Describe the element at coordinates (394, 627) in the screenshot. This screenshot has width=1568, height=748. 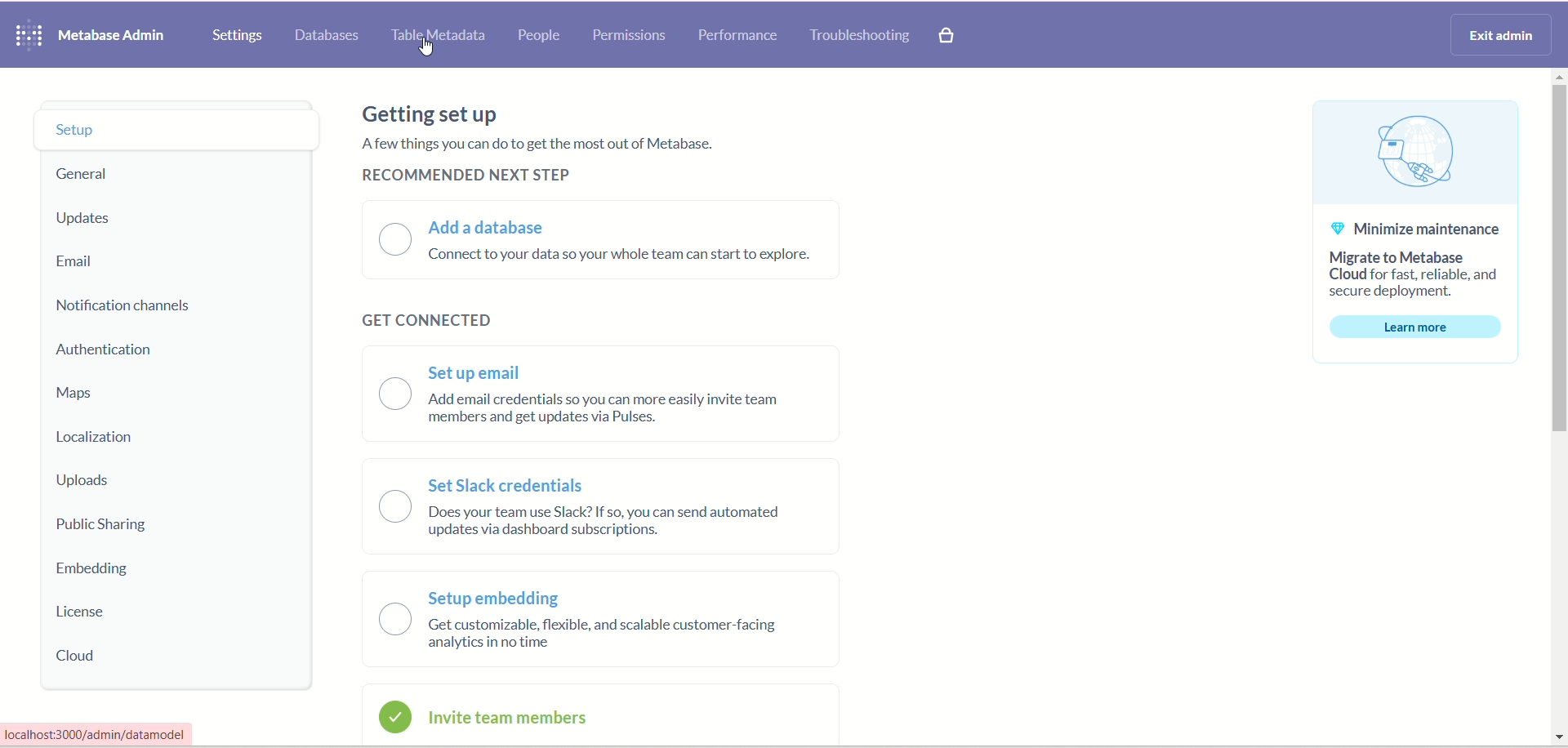
I see `setup embedding radio button` at that location.